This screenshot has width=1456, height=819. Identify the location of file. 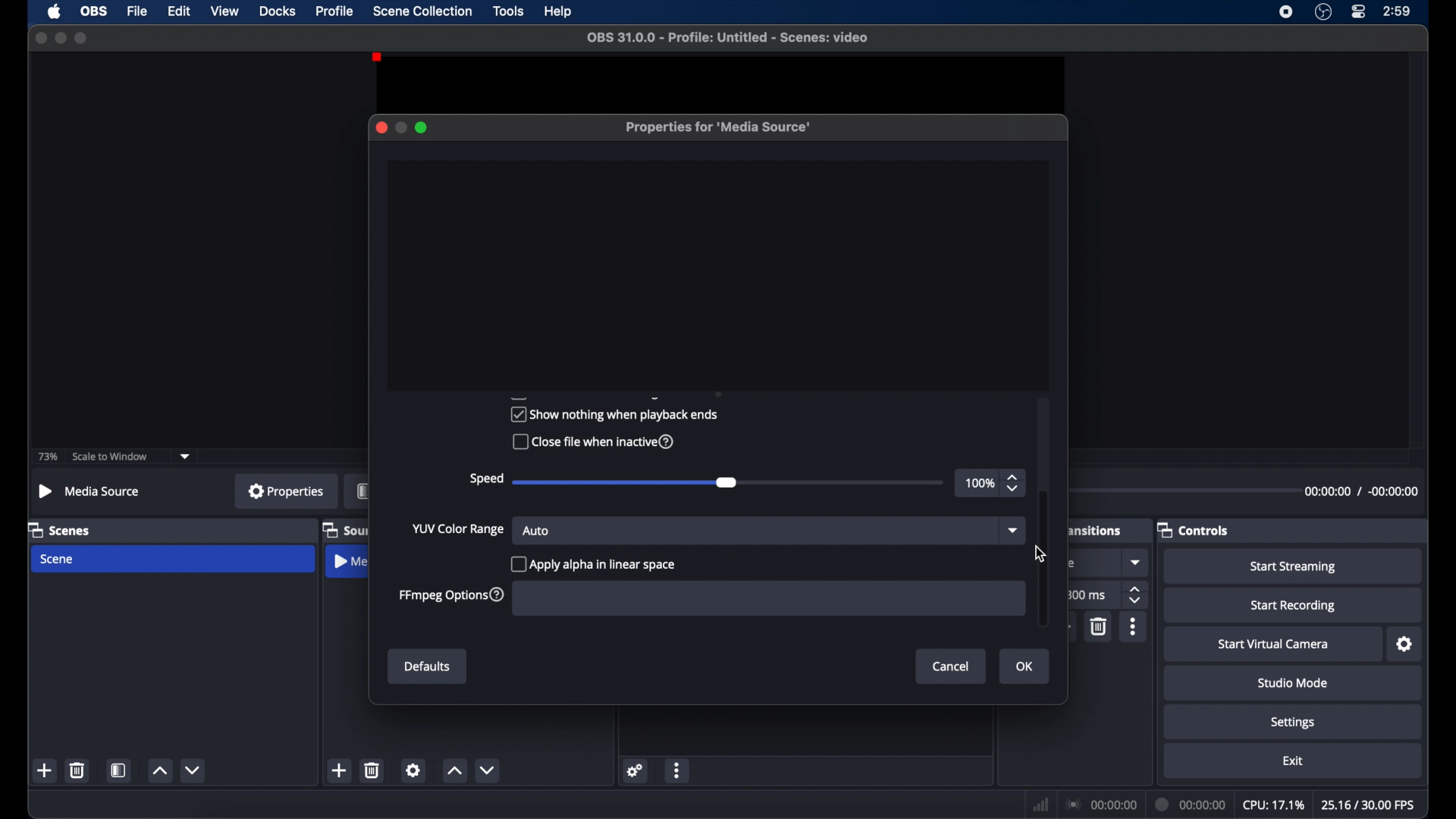
(138, 12).